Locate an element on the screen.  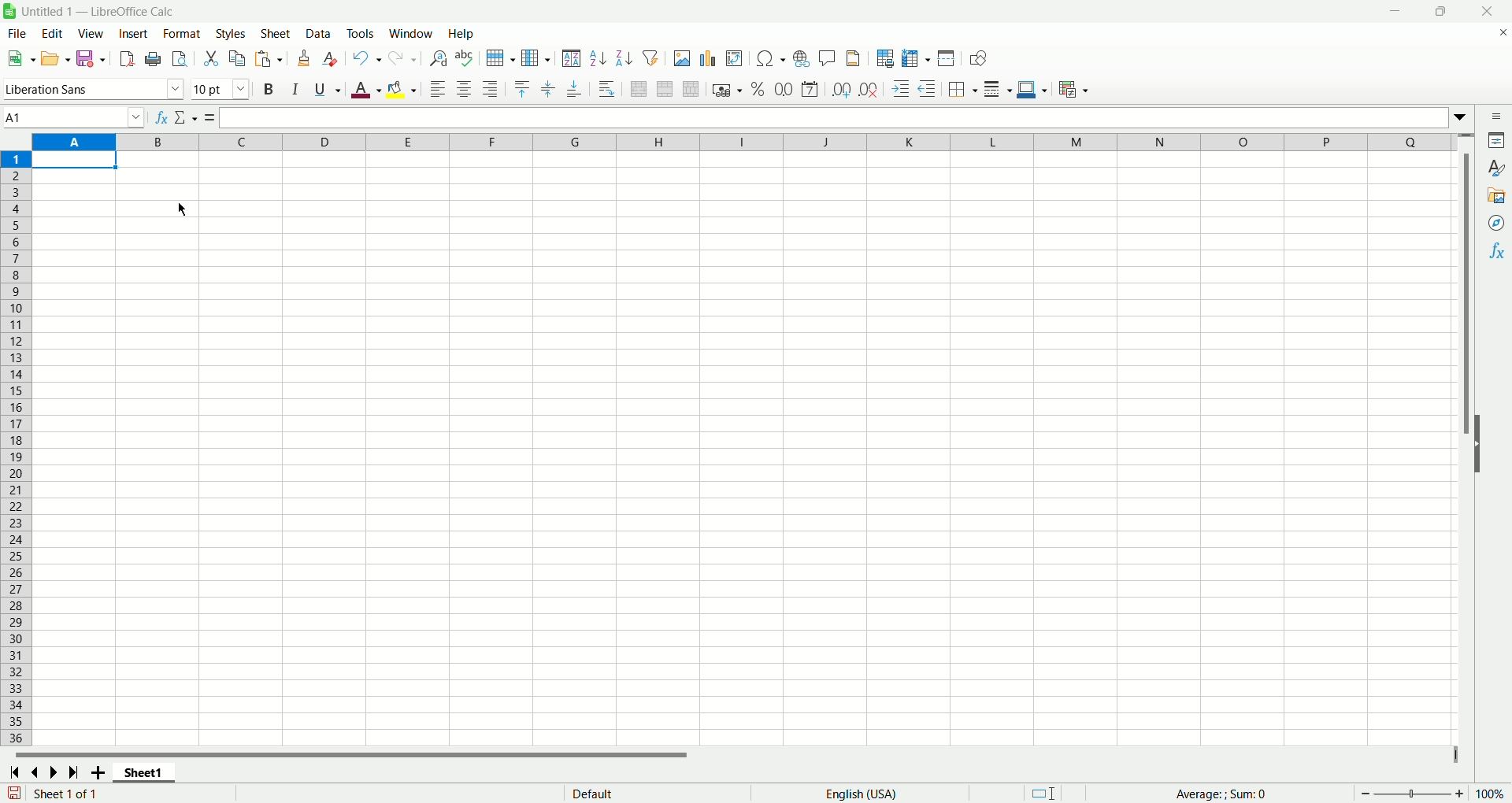
properties is located at coordinates (1498, 142).